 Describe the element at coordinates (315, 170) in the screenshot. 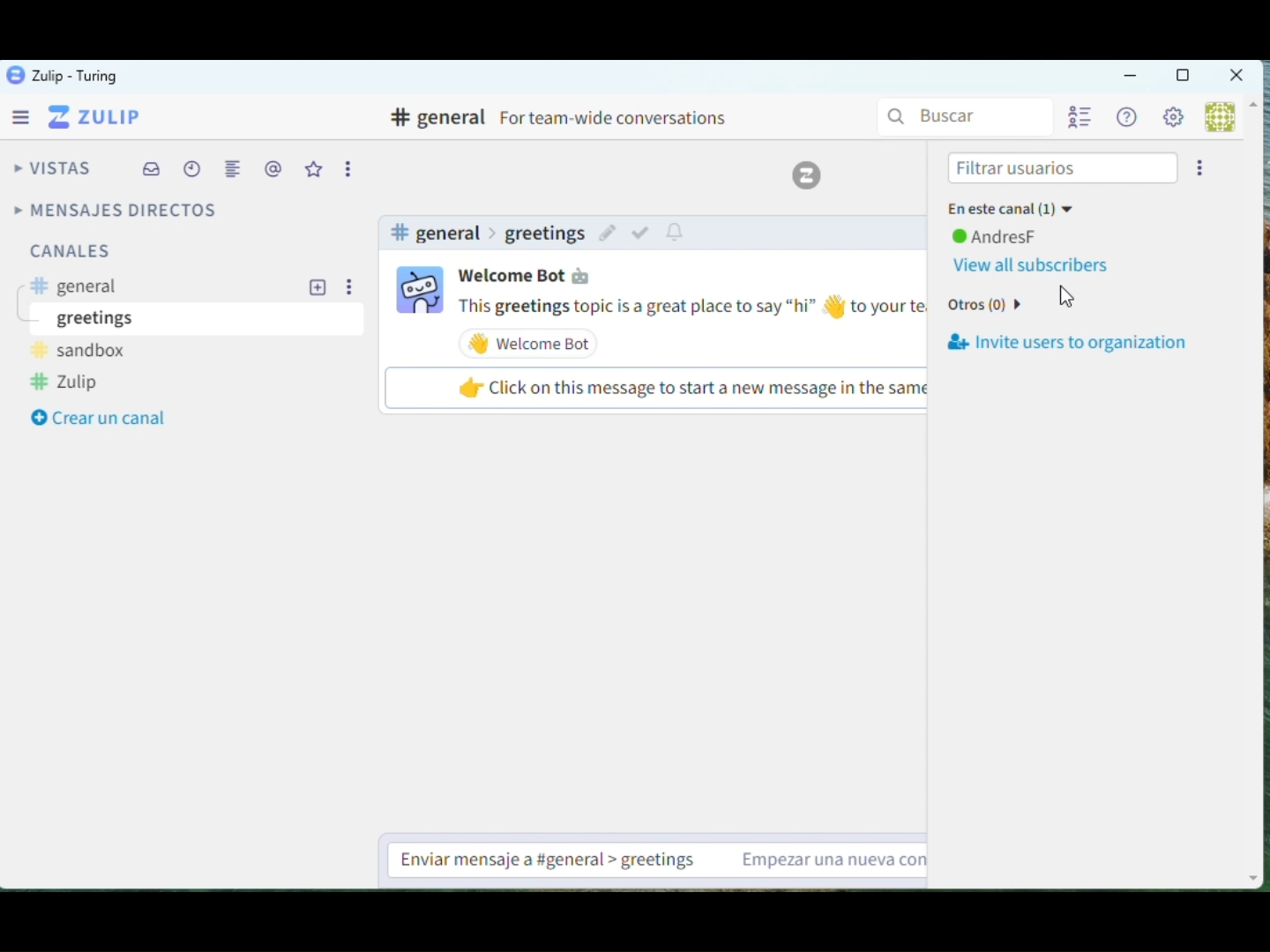

I see `Favourites` at that location.